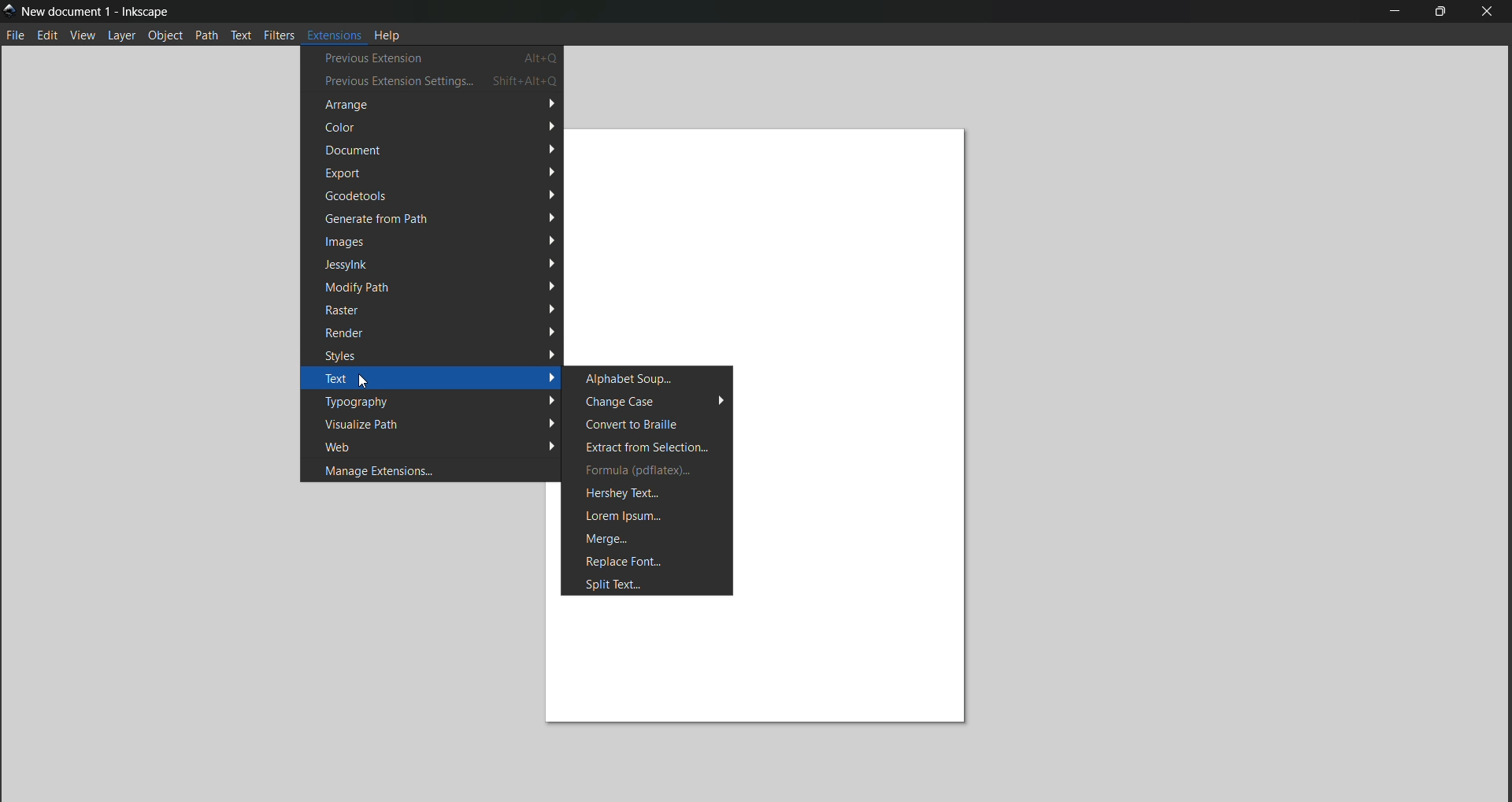  What do you see at coordinates (242, 35) in the screenshot?
I see `text` at bounding box center [242, 35].